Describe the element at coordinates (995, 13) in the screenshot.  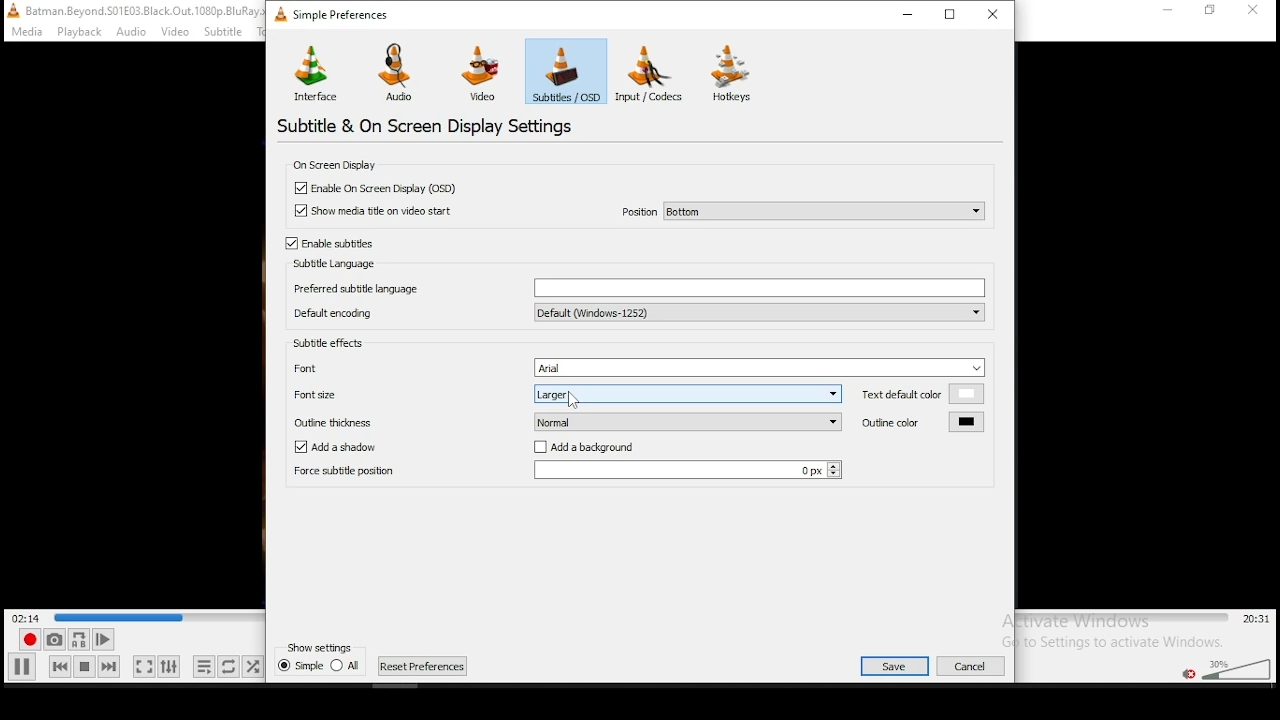
I see `close window` at that location.